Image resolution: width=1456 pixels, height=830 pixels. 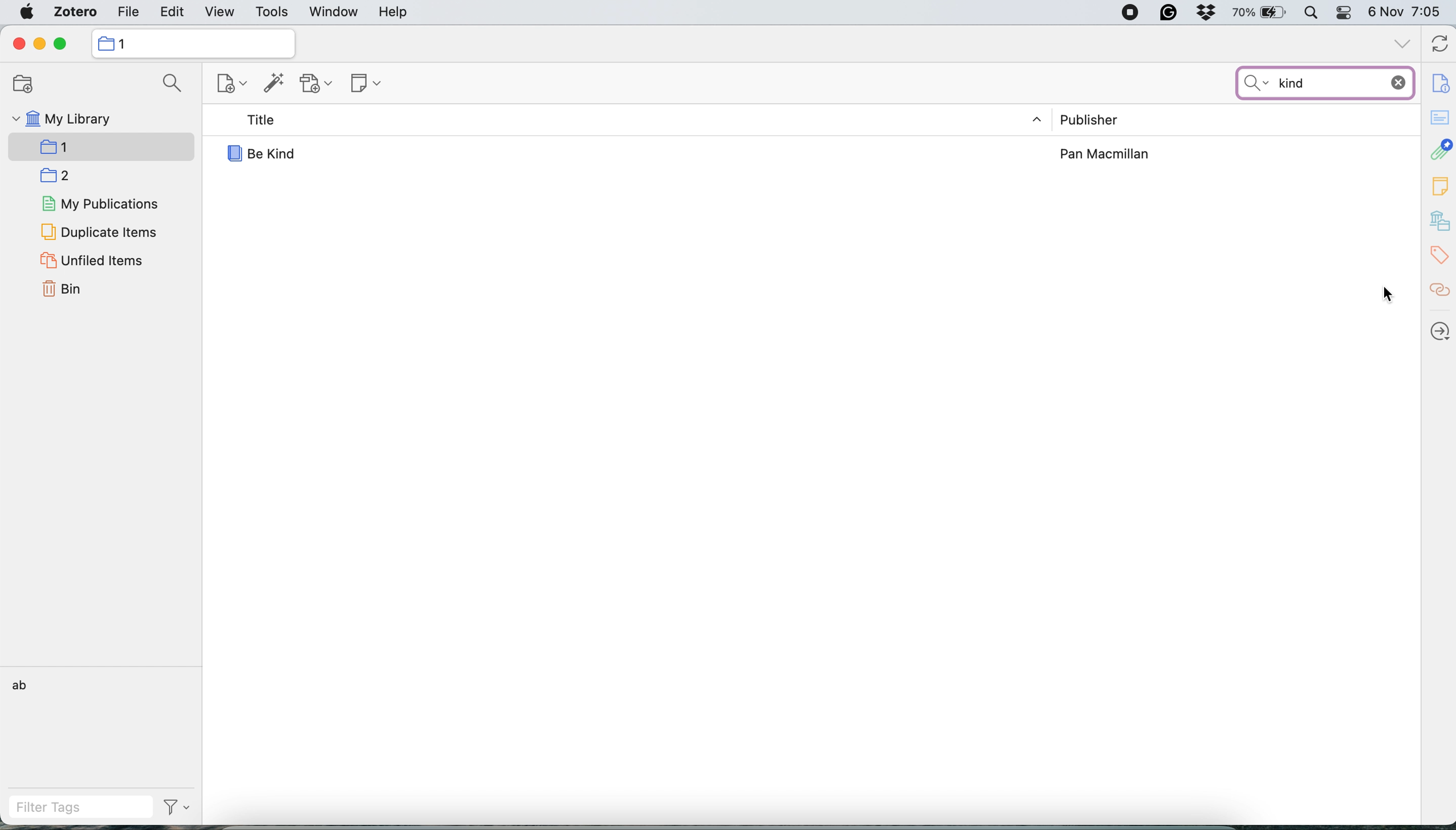 What do you see at coordinates (99, 231) in the screenshot?
I see `duplicate items` at bounding box center [99, 231].